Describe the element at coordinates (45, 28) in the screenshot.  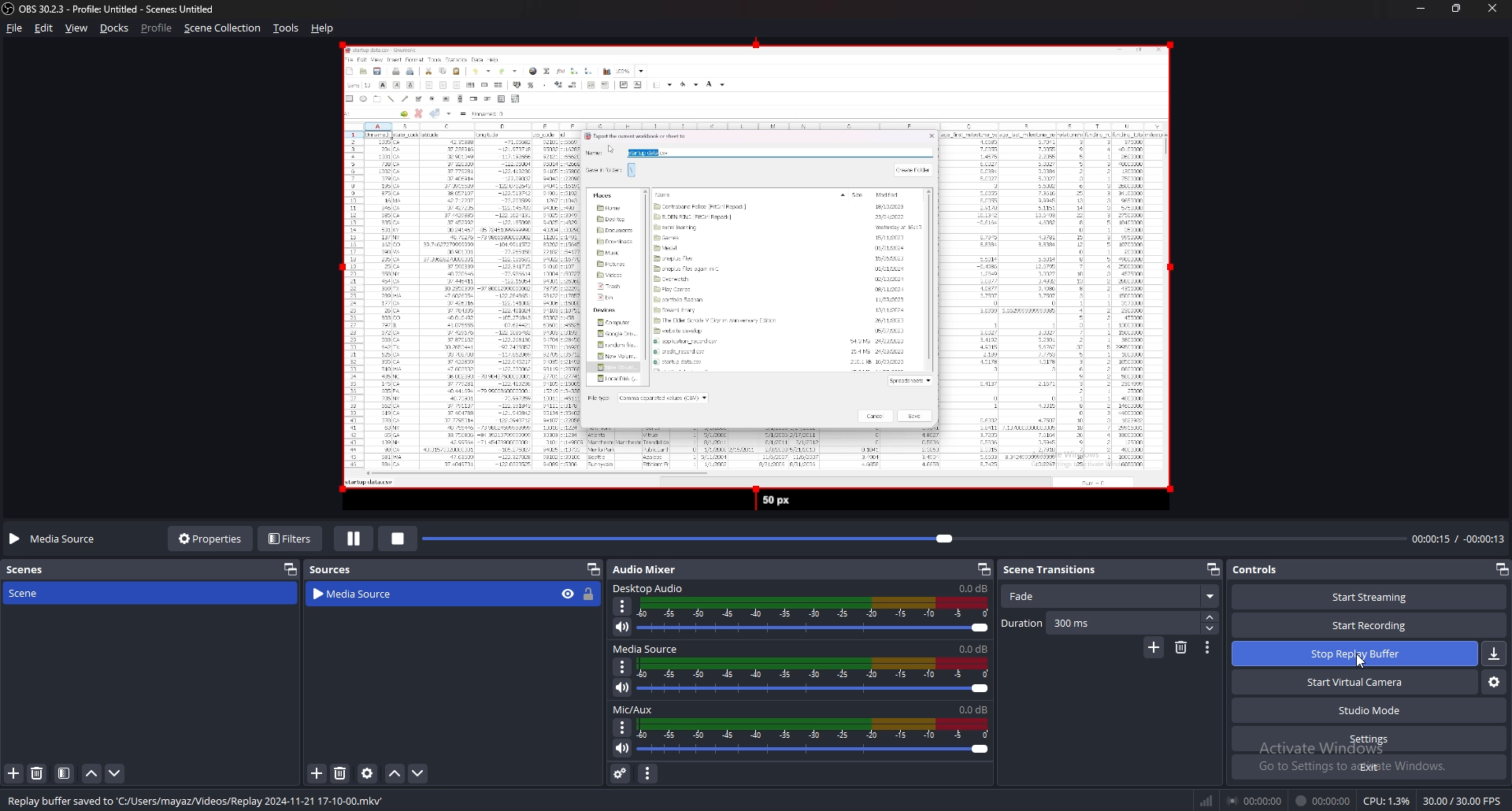
I see `edit` at that location.